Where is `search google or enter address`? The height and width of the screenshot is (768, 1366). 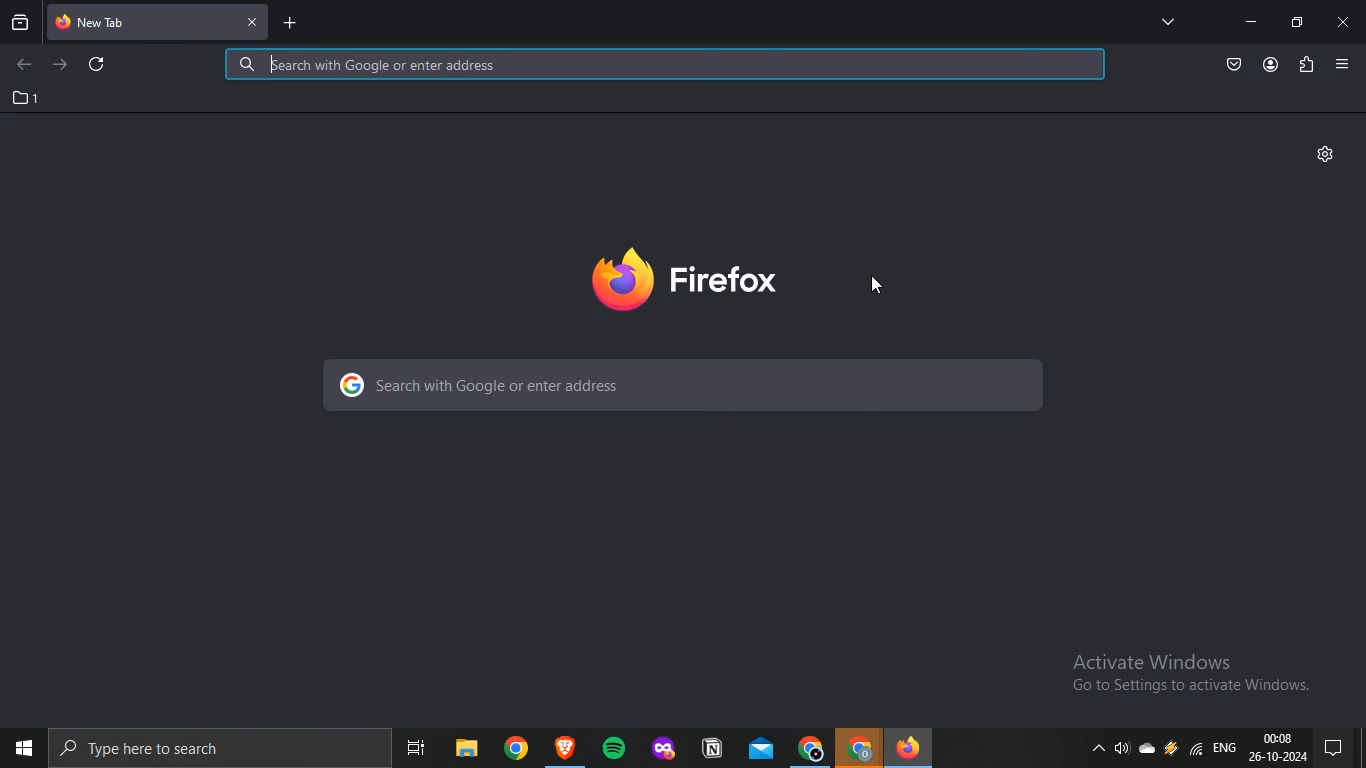 search google or enter address is located at coordinates (665, 66).